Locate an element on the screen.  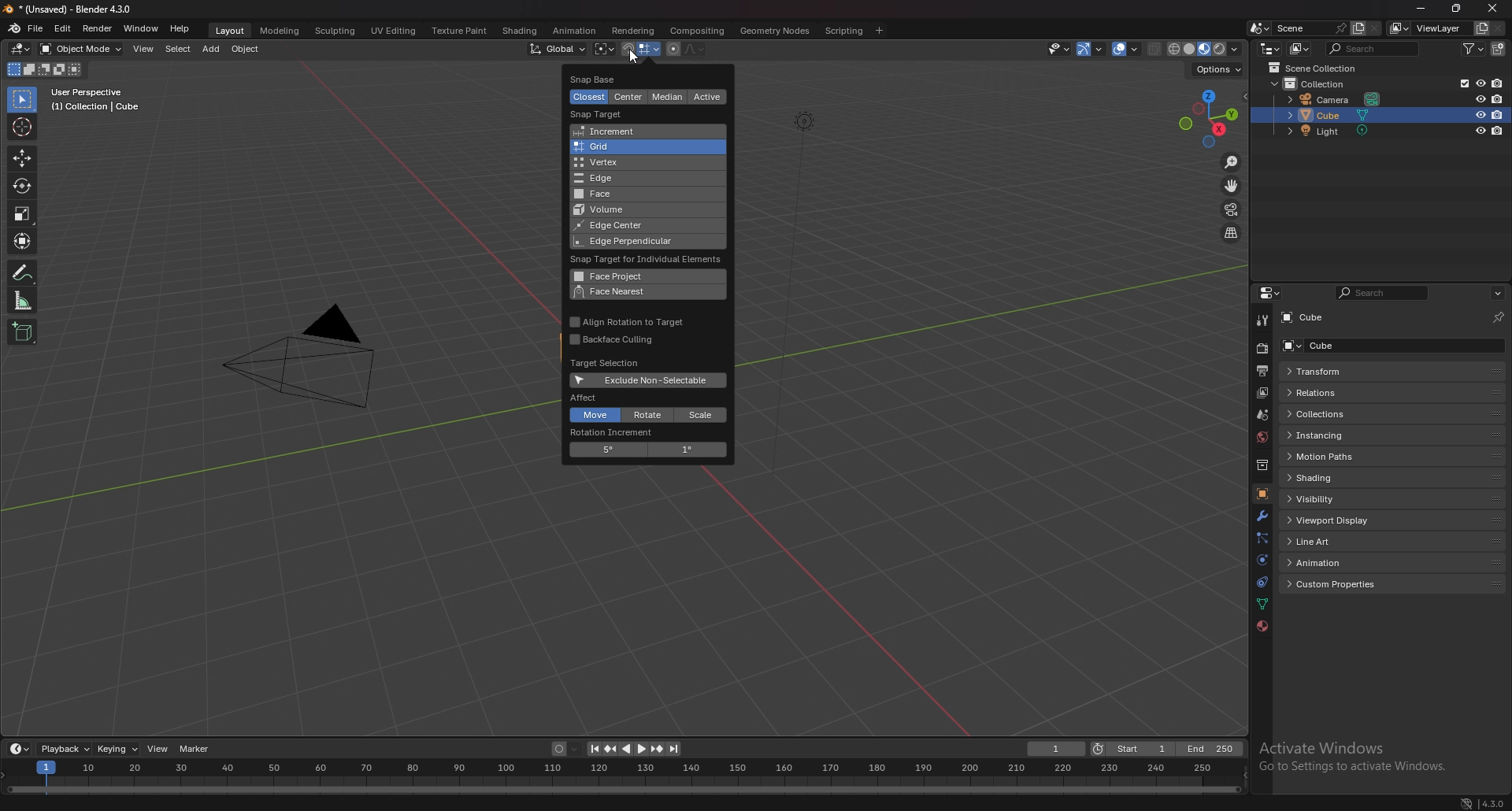
view is located at coordinates (143, 50).